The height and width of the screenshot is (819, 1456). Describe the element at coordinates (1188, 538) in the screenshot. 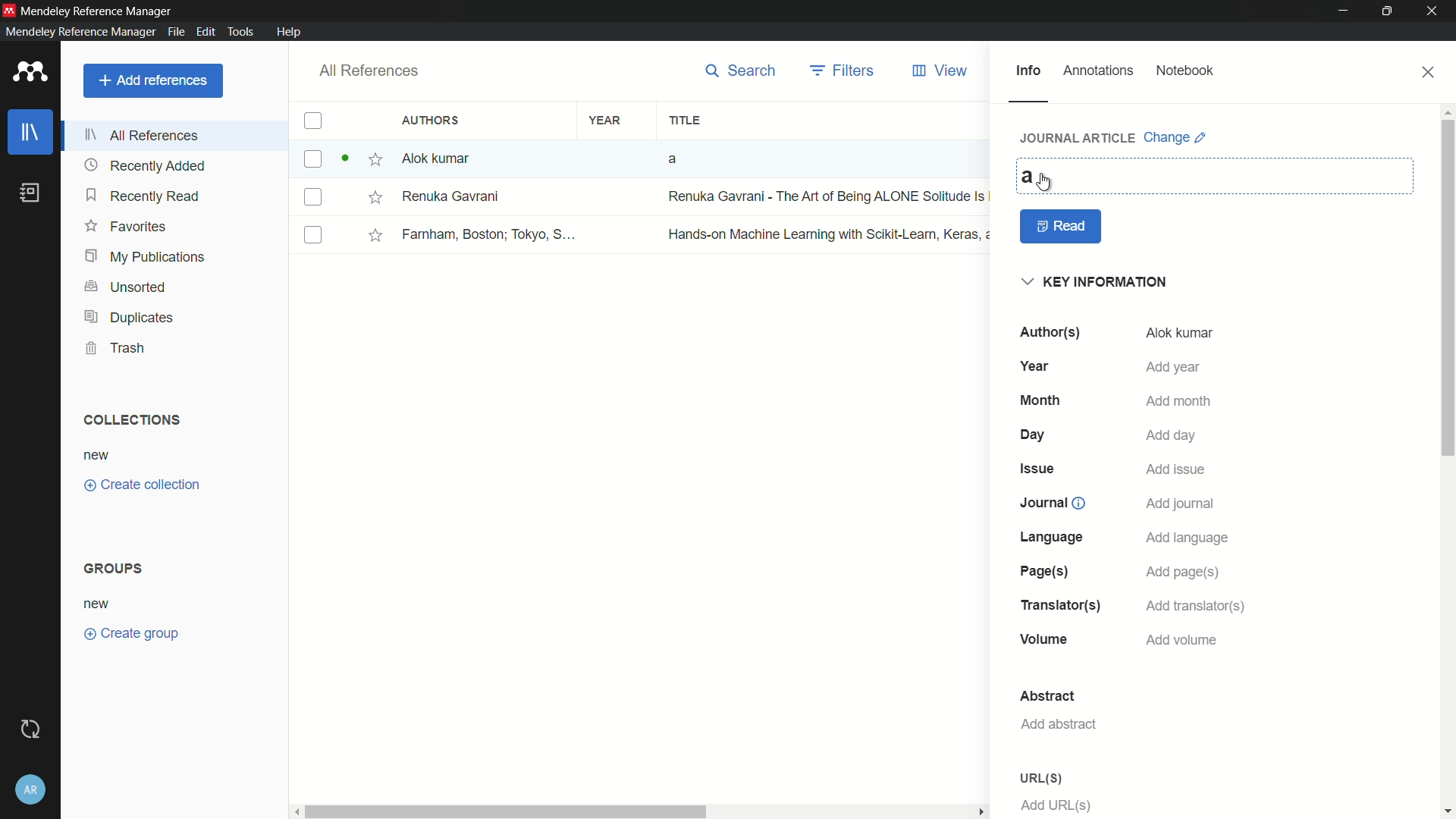

I see `add language` at that location.